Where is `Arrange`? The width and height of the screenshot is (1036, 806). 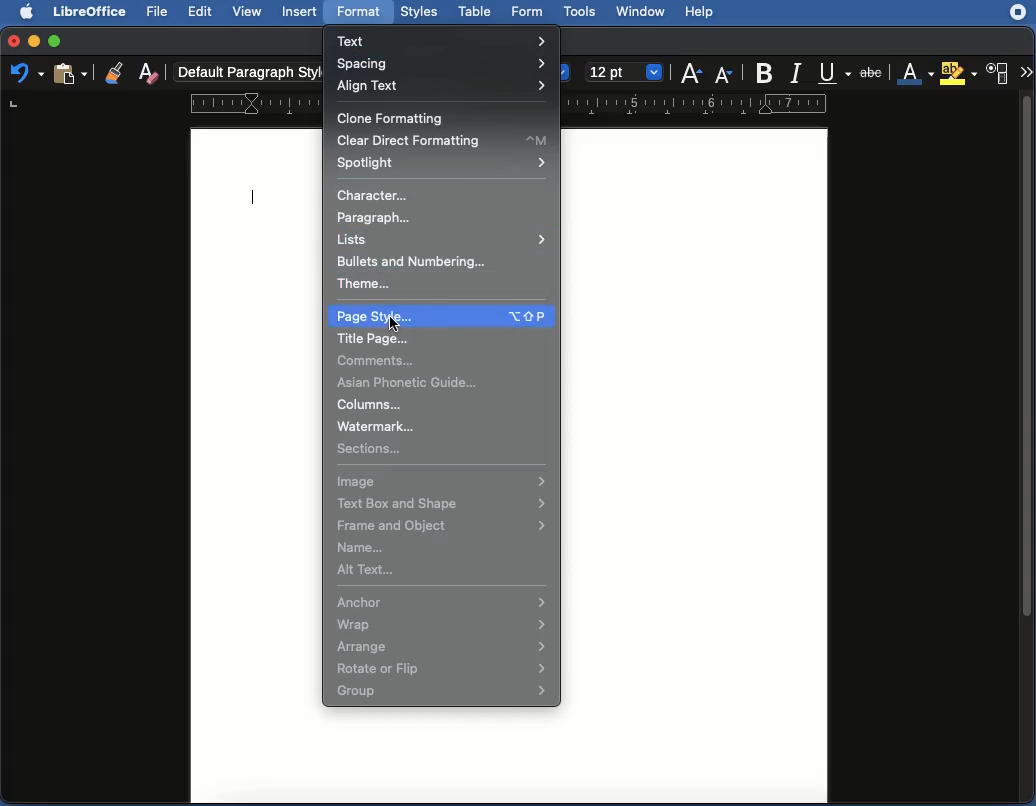 Arrange is located at coordinates (441, 646).